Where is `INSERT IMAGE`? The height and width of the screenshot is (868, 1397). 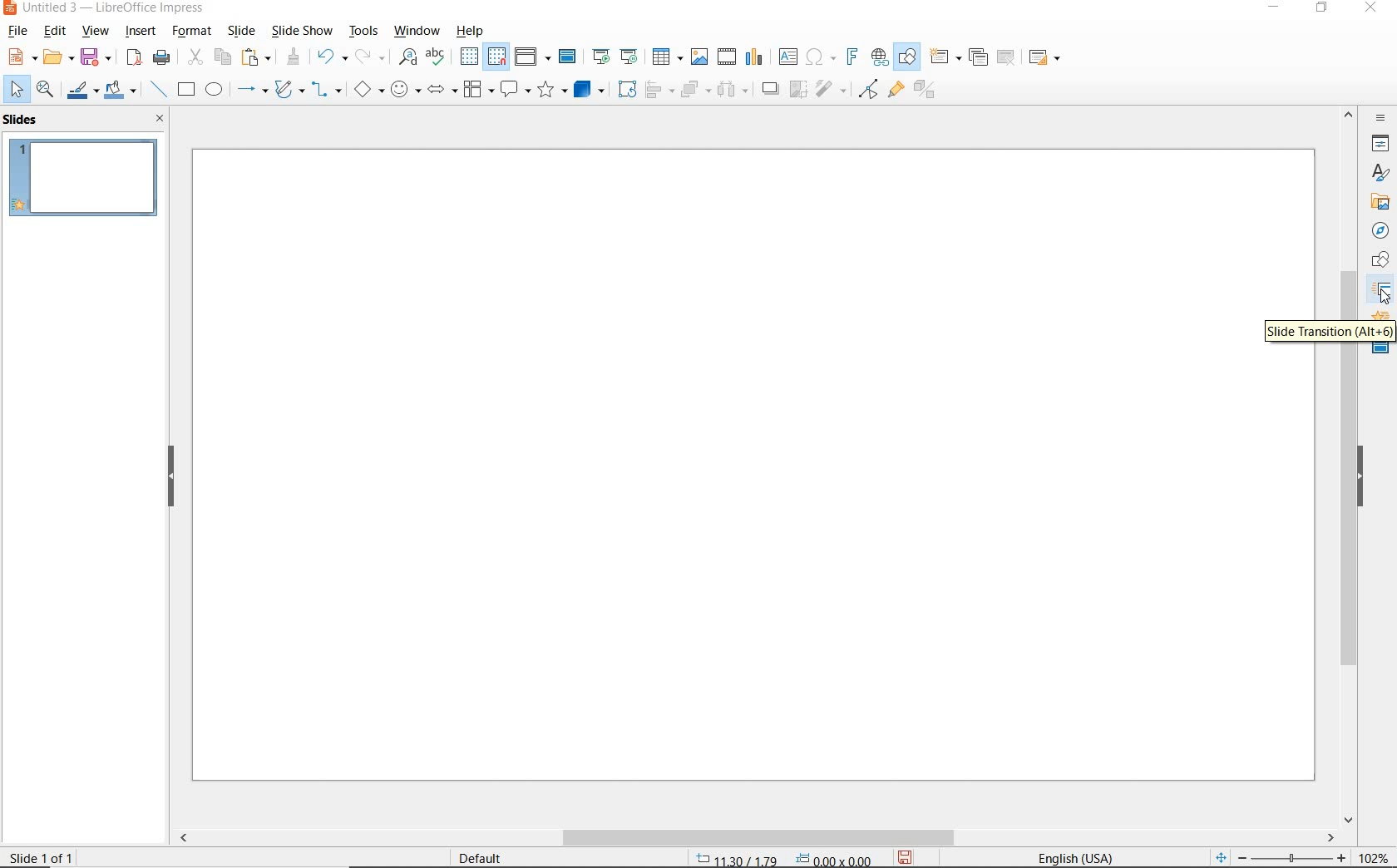 INSERT IMAGE is located at coordinates (701, 57).